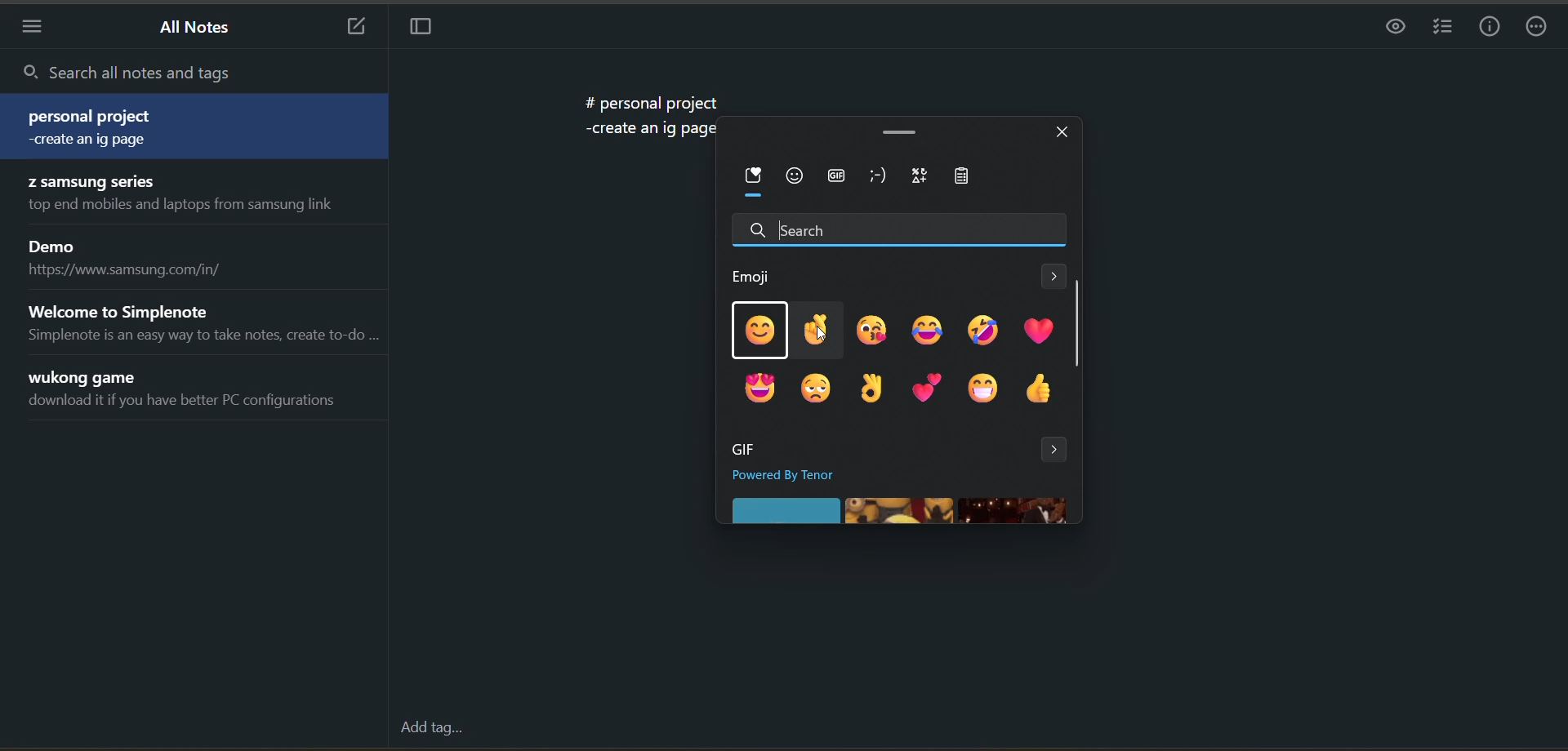 The image size is (1568, 751). I want to click on note title and preview, so click(189, 195).